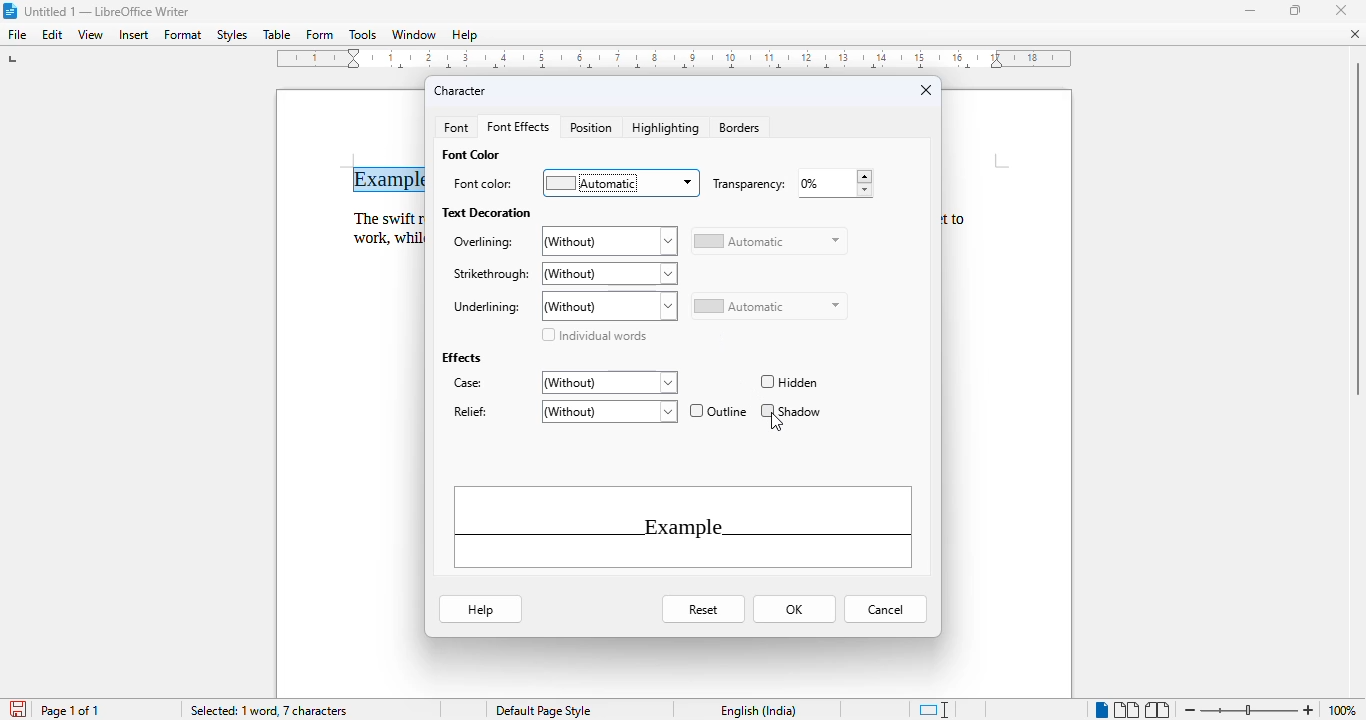 The width and height of the screenshot is (1366, 720). I want to click on tab stop, so click(13, 61).